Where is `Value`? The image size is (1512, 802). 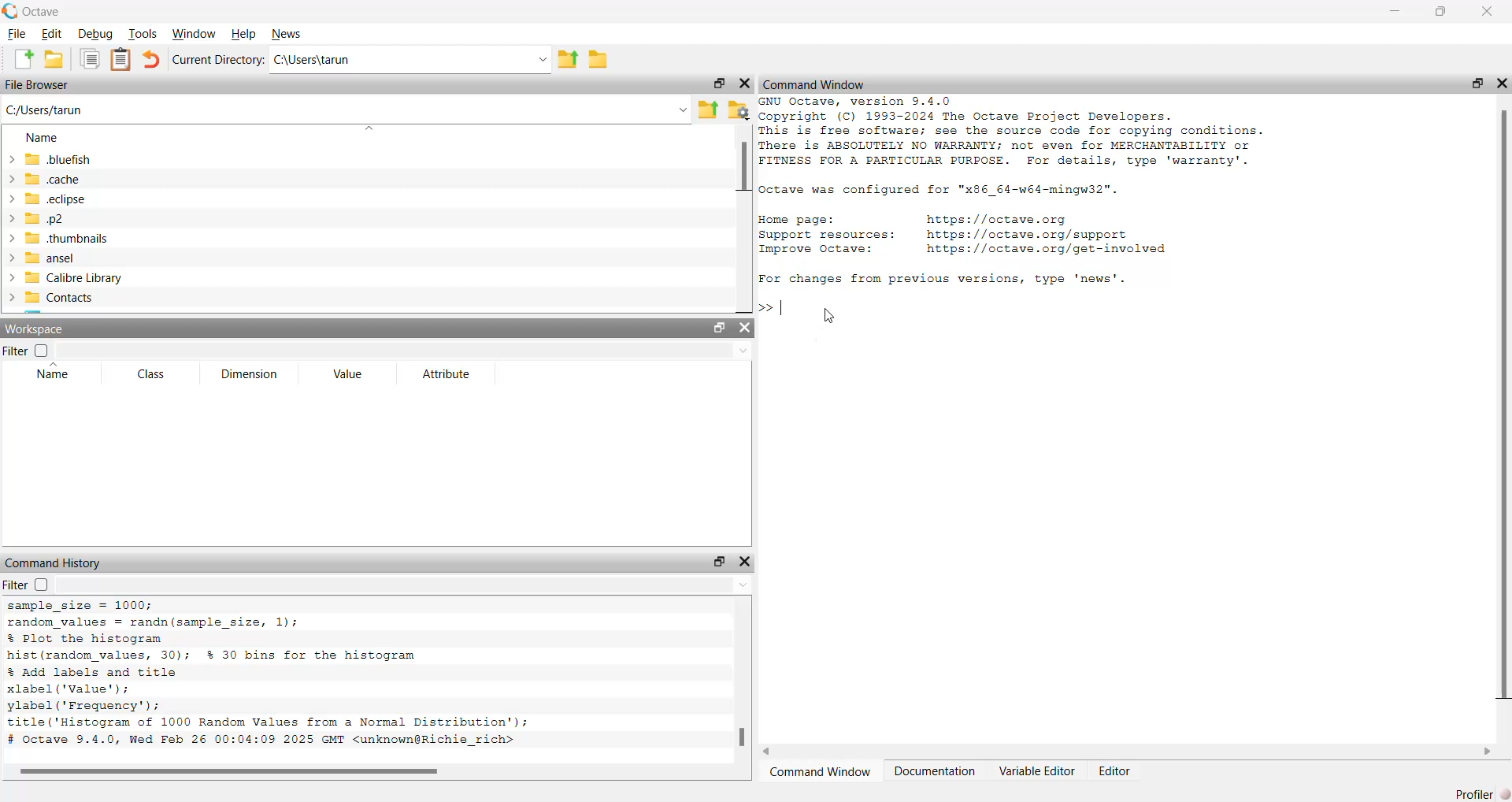
Value is located at coordinates (348, 374).